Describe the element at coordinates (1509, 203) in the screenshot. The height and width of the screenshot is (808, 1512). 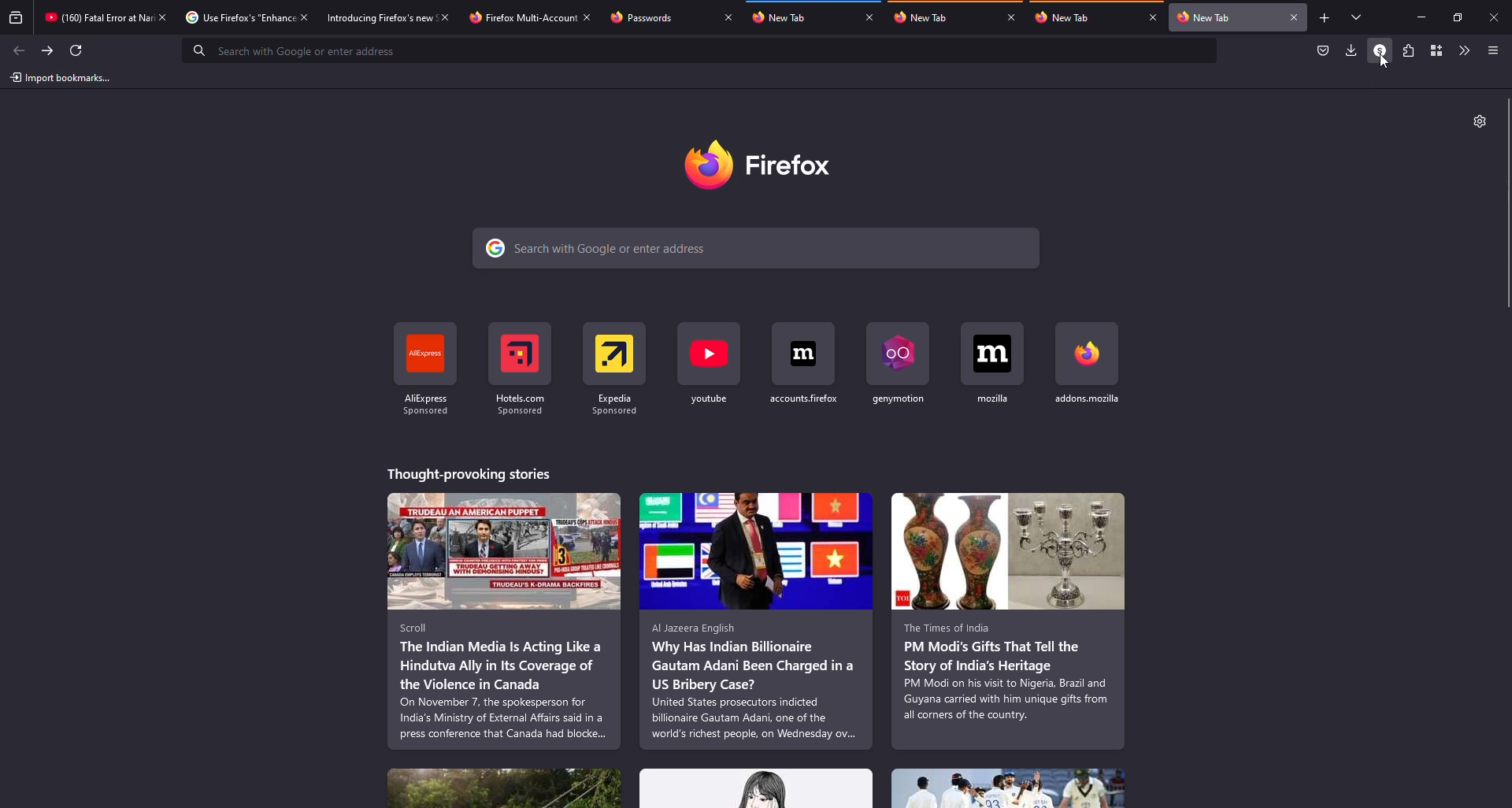
I see `scroll bar` at that location.